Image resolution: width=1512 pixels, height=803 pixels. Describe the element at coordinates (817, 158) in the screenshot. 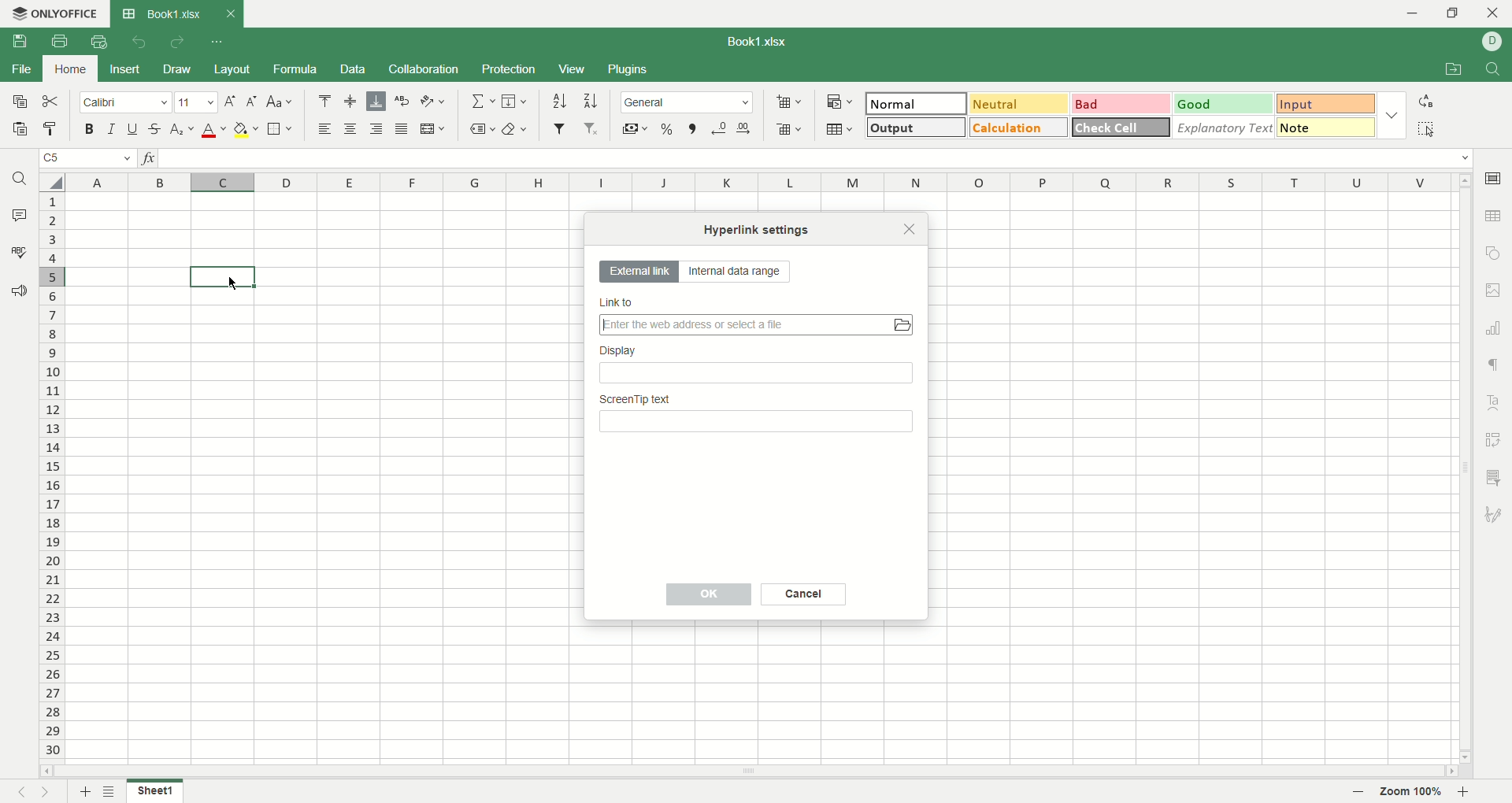

I see `formula bar` at that location.